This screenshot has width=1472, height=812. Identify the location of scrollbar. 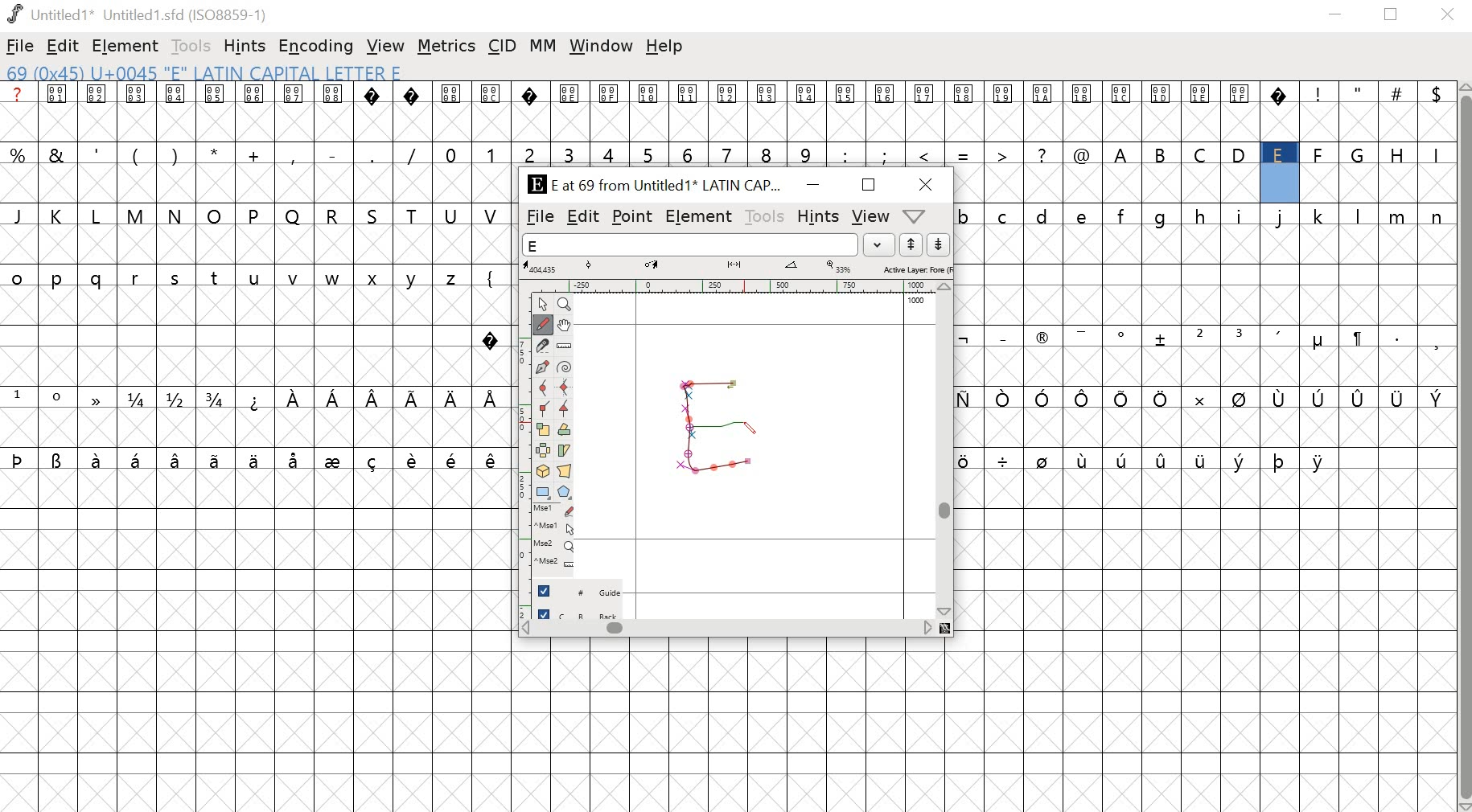
(1463, 446).